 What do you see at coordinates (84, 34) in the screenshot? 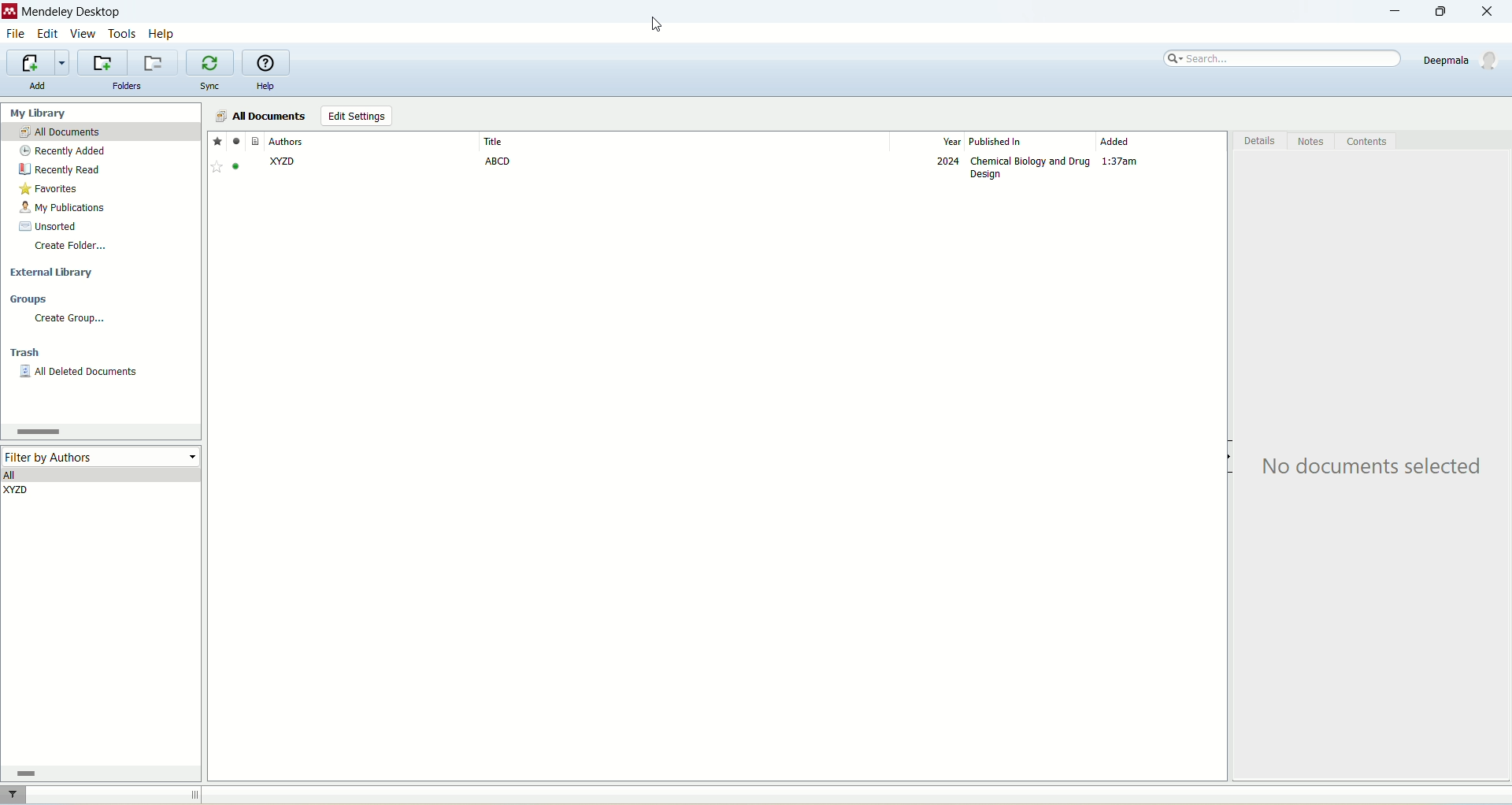
I see `view` at bounding box center [84, 34].